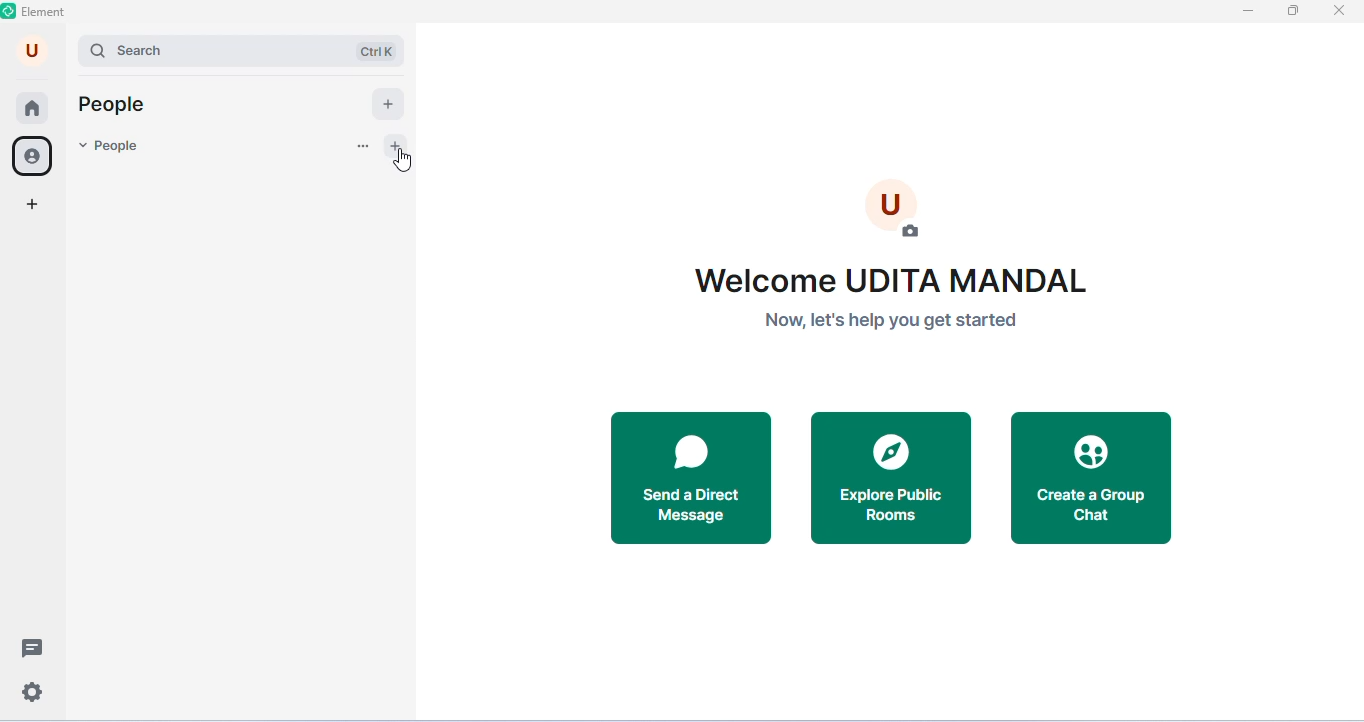 The height and width of the screenshot is (722, 1364). What do you see at coordinates (361, 147) in the screenshot?
I see `list options` at bounding box center [361, 147].